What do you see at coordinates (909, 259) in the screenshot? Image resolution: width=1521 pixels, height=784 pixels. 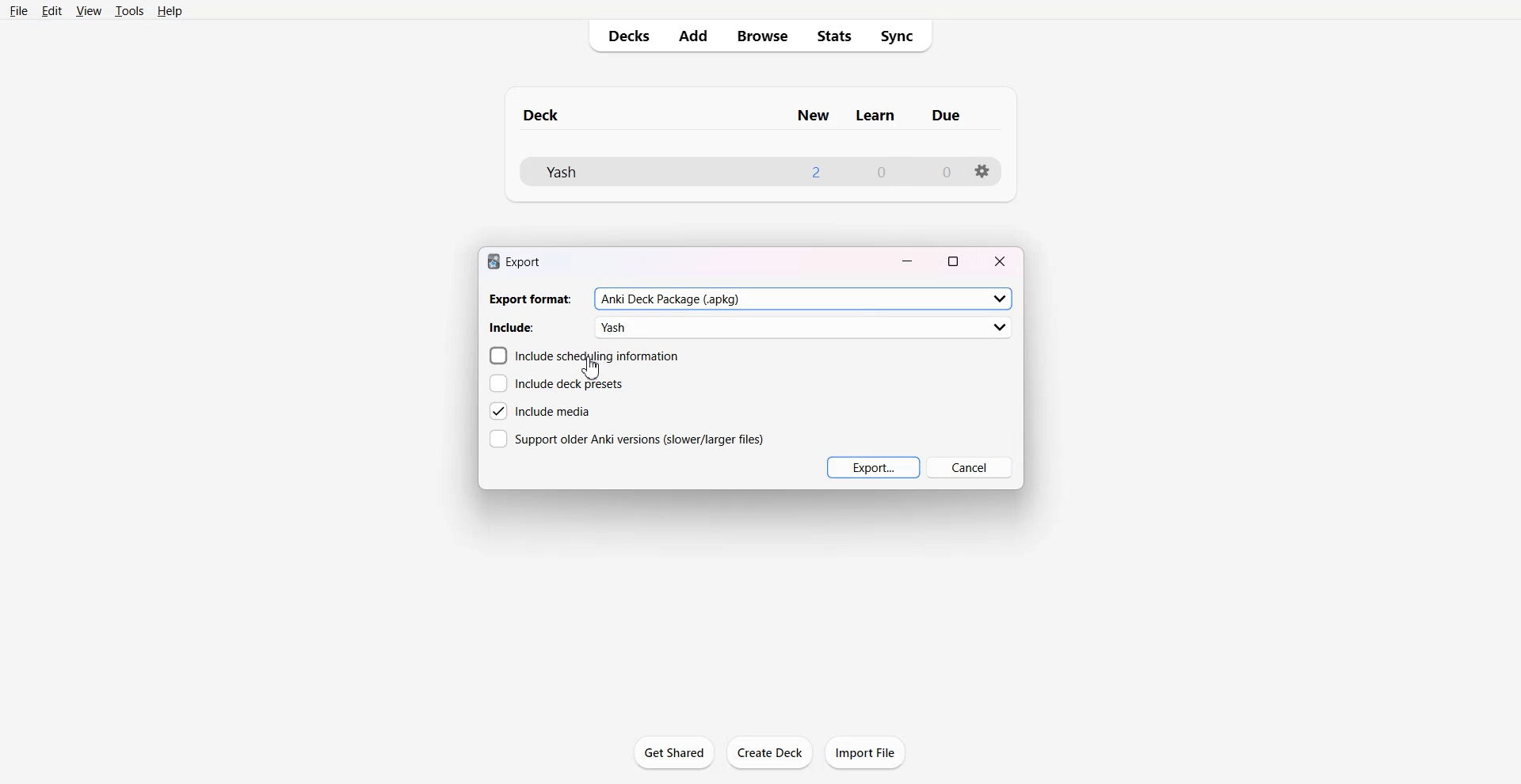 I see `Minimize` at bounding box center [909, 259].